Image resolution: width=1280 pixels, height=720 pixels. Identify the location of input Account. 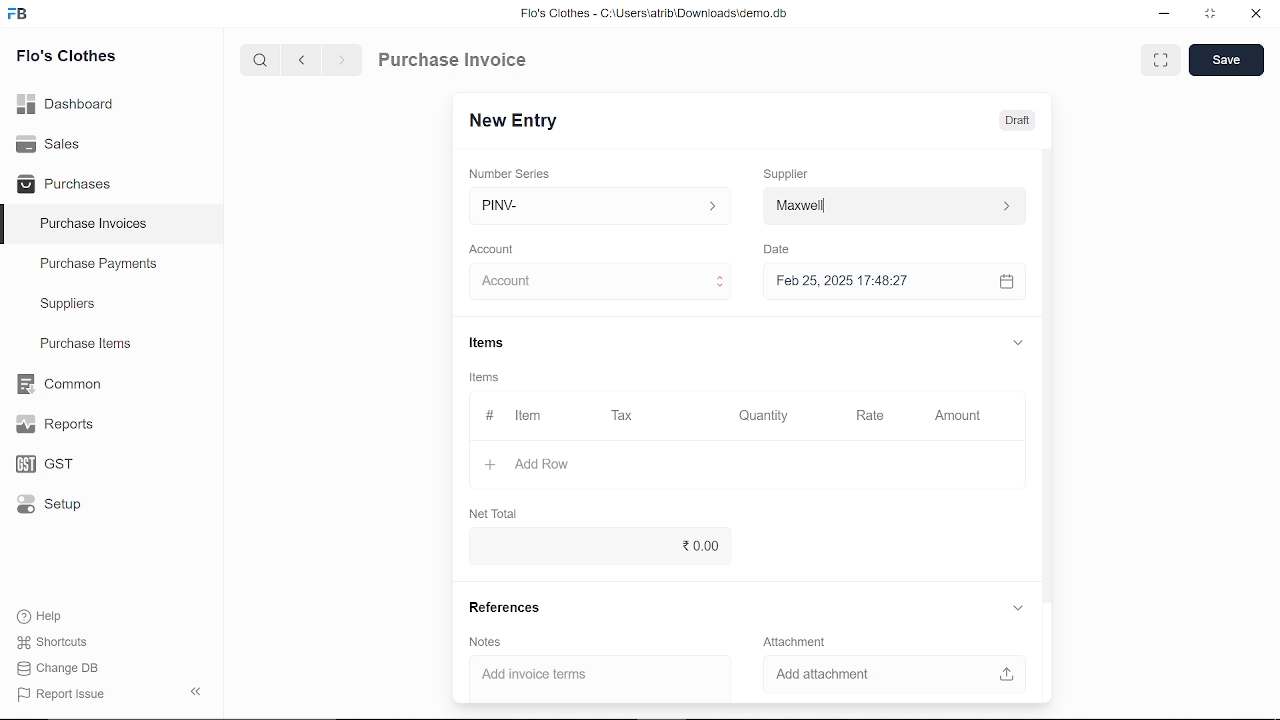
(594, 282).